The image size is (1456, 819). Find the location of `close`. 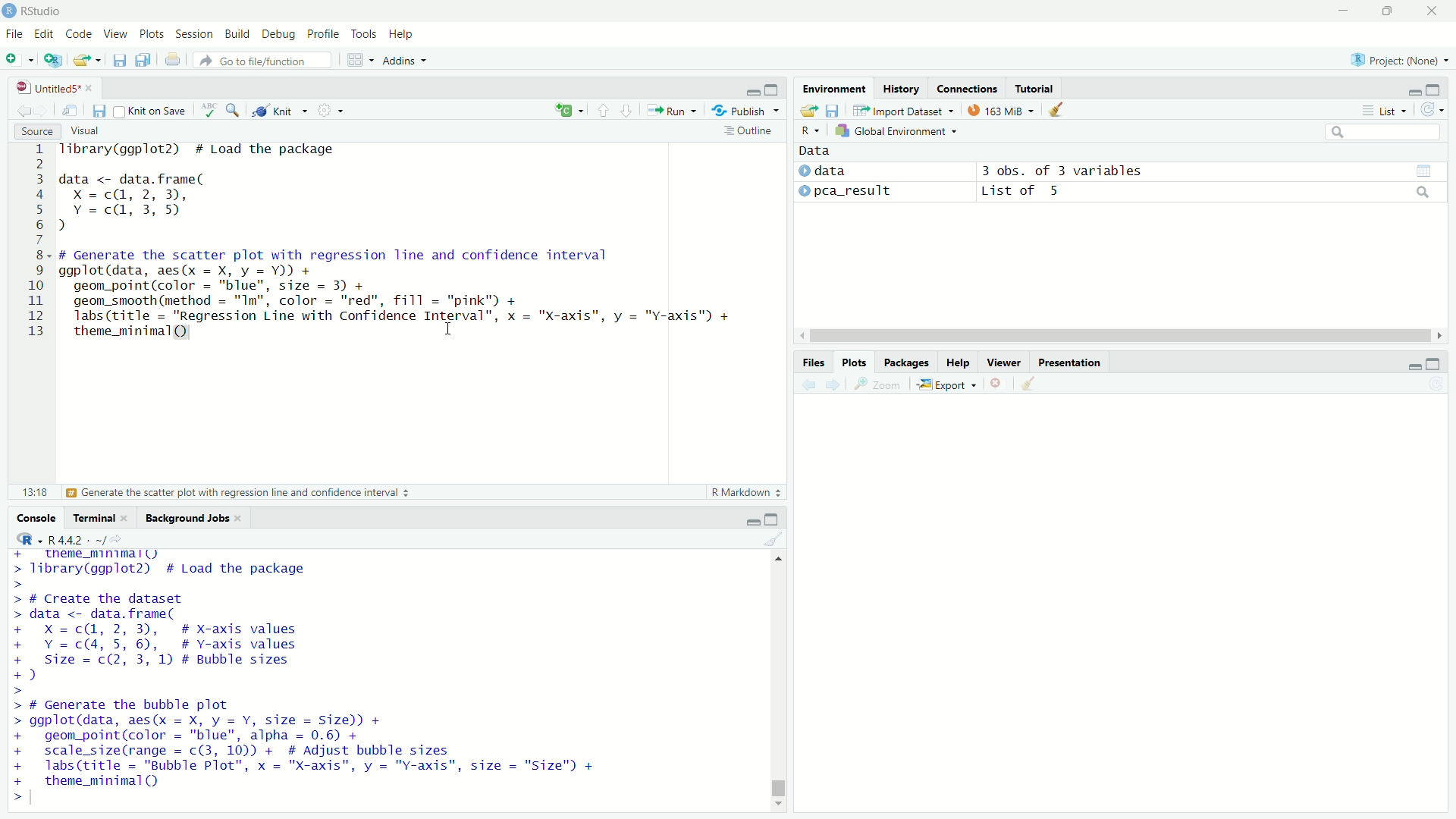

close is located at coordinates (1432, 11).